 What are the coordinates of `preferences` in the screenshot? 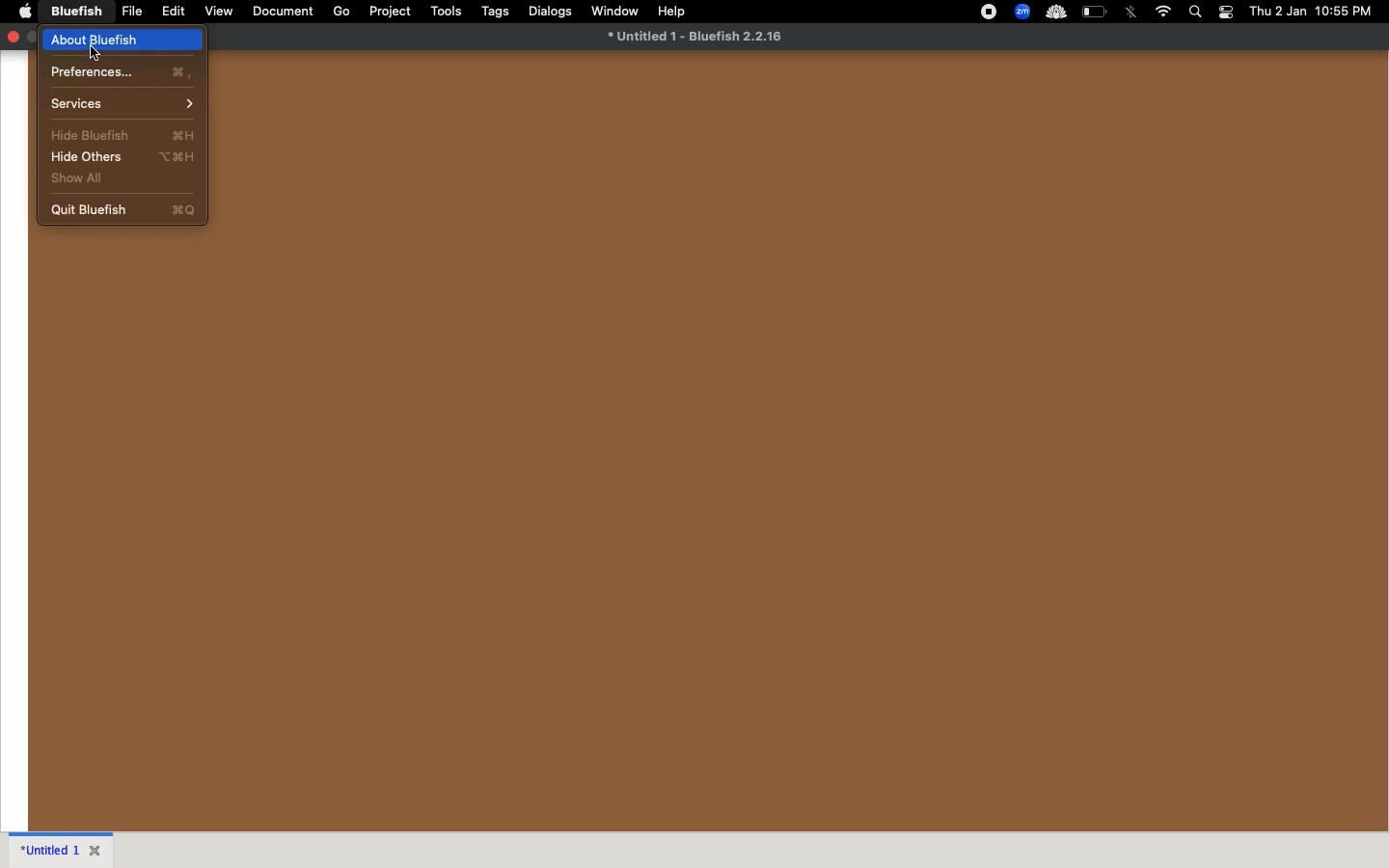 It's located at (123, 71).